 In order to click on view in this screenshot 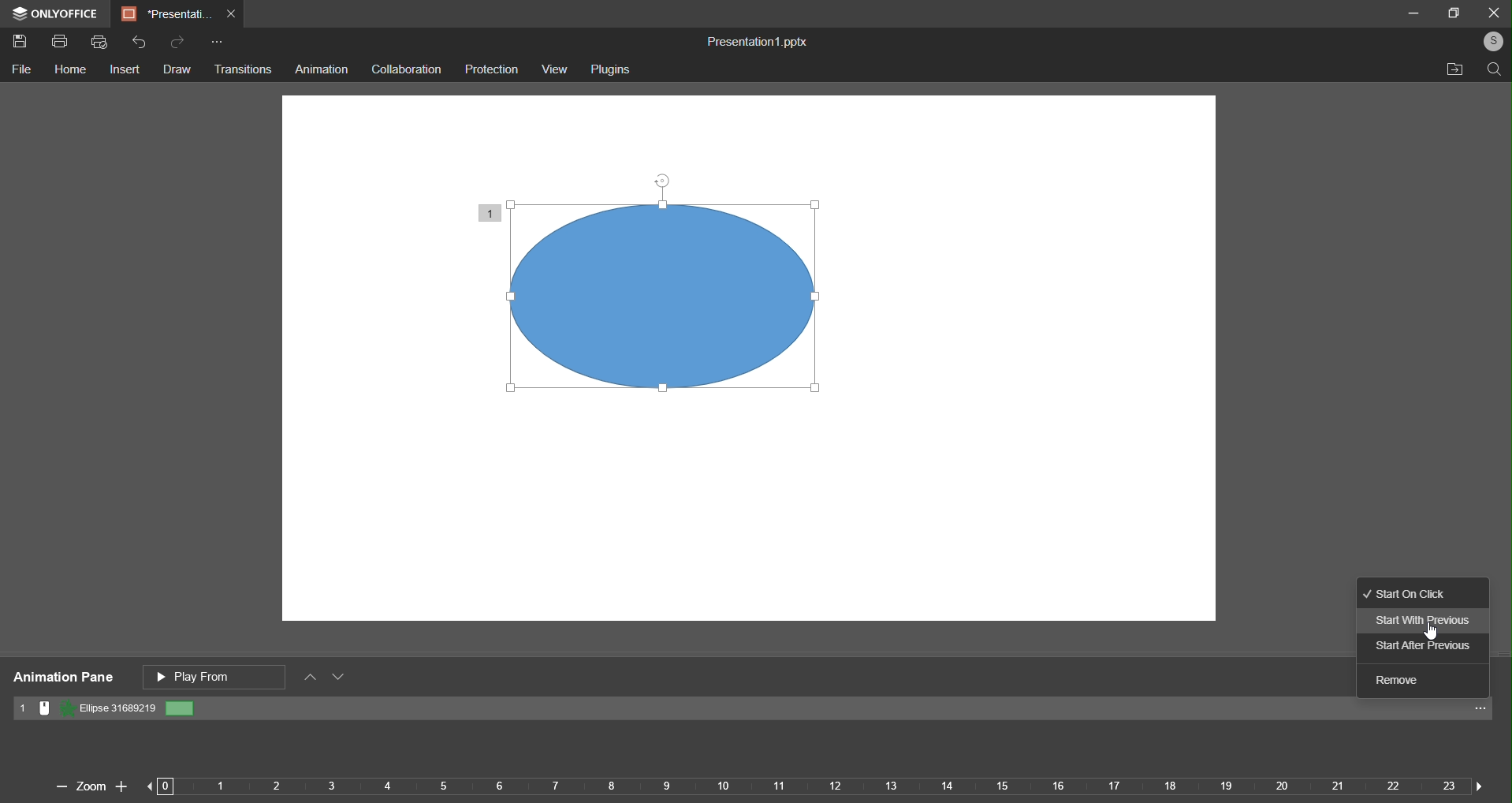, I will do `click(553, 69)`.